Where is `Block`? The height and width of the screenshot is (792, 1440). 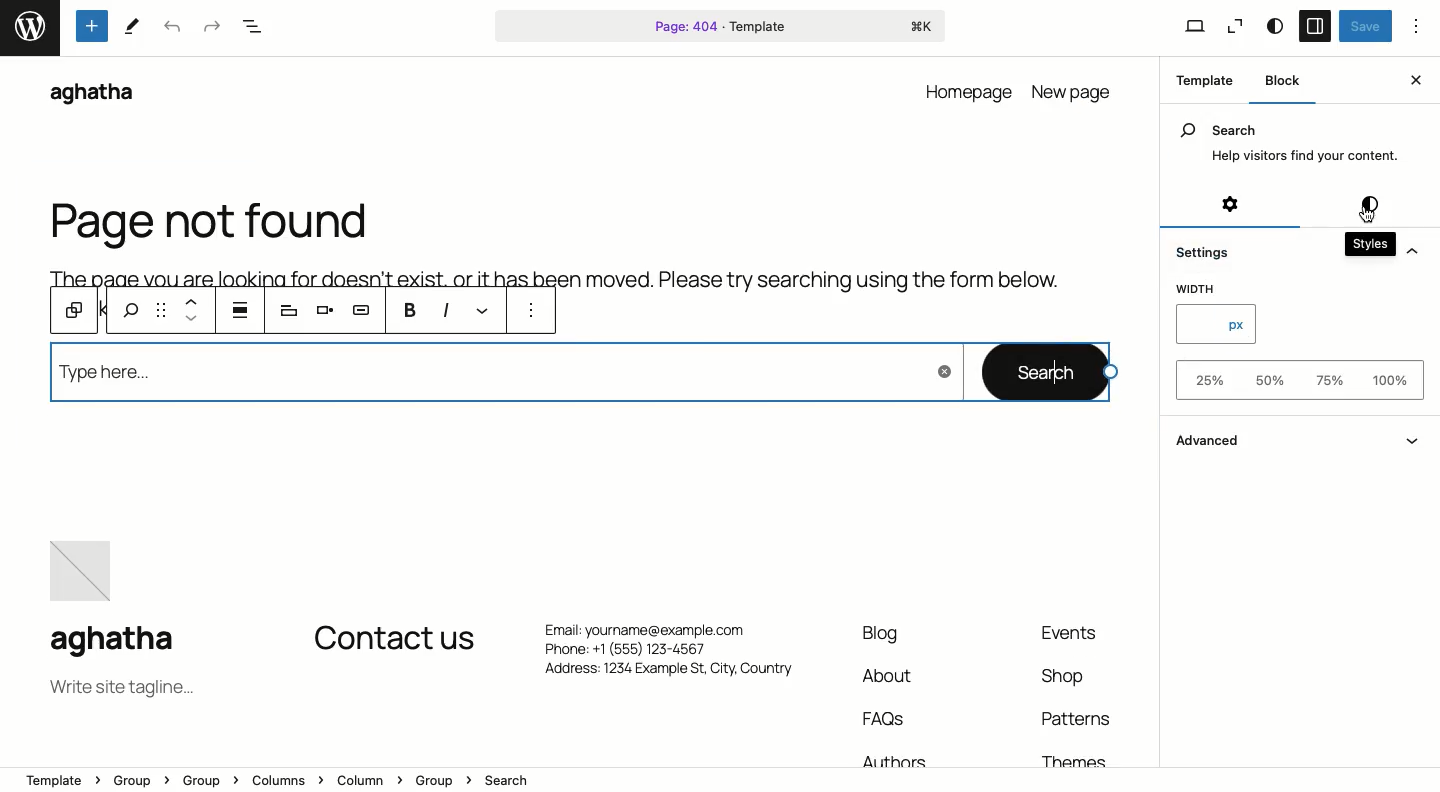
Block is located at coordinates (1277, 80).